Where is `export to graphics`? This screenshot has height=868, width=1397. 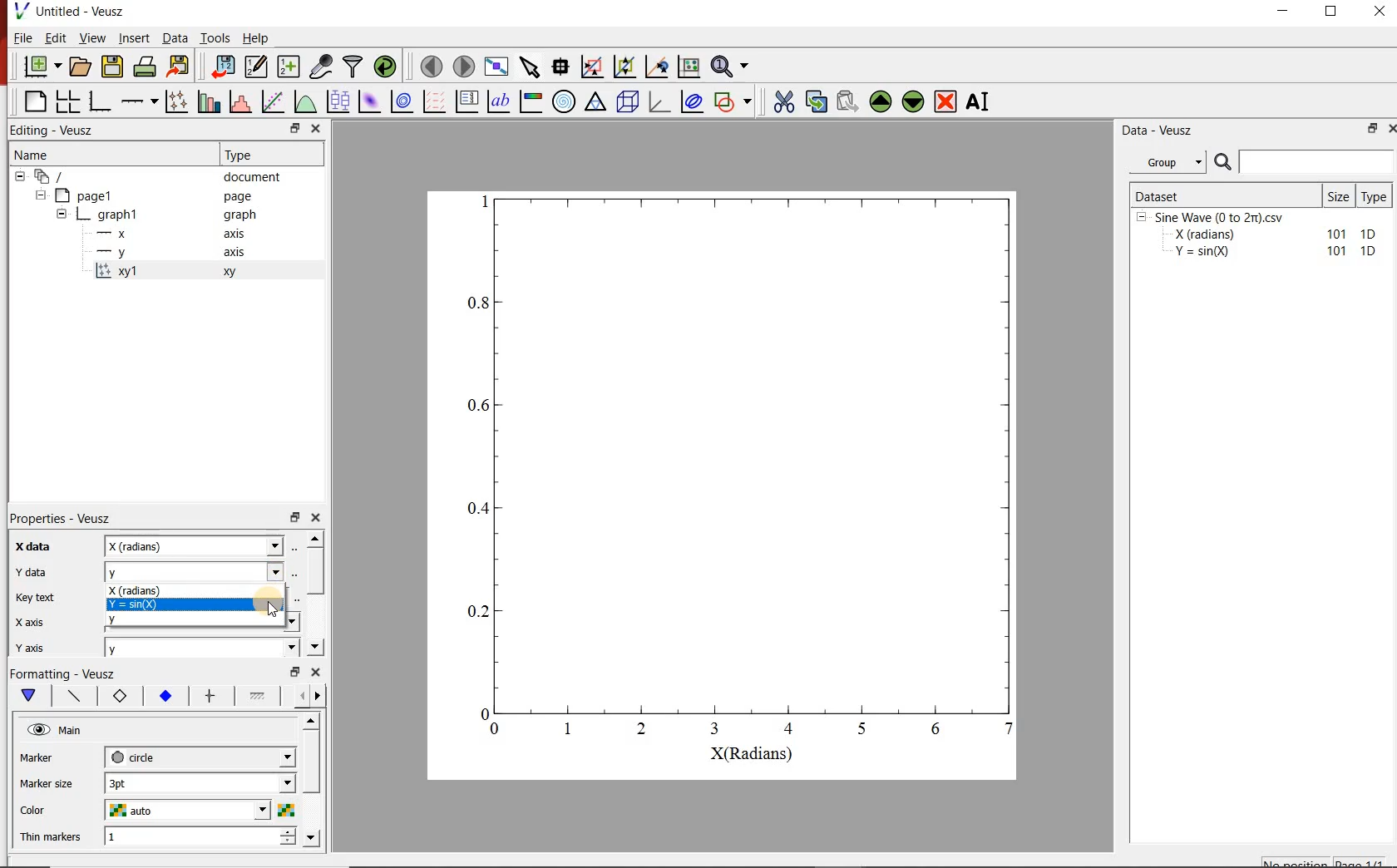
export to graphics is located at coordinates (180, 66).